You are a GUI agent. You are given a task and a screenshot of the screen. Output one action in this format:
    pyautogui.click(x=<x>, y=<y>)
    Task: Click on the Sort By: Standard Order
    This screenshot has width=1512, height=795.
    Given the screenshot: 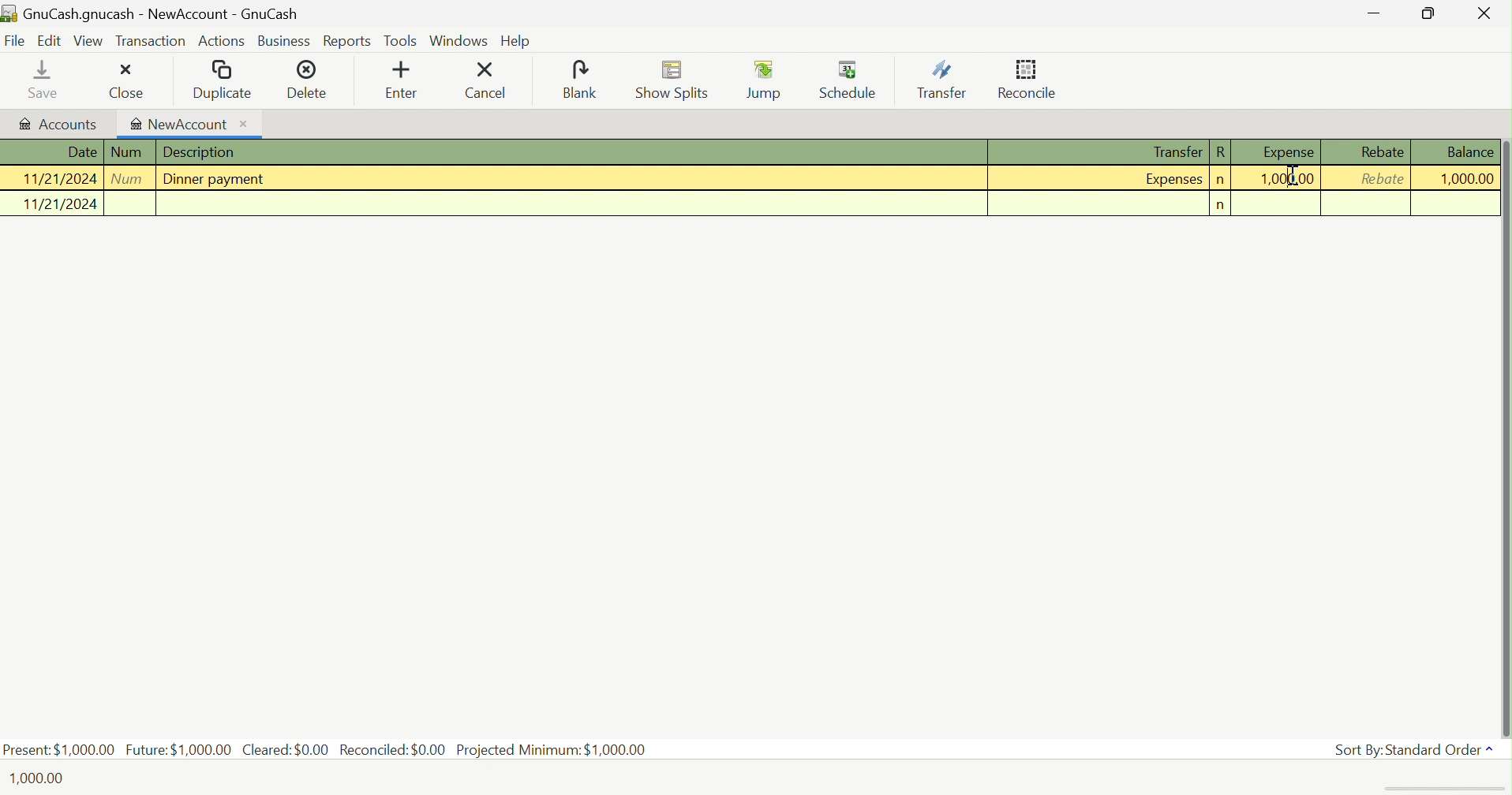 What is the action you would take?
    pyautogui.click(x=1415, y=748)
    